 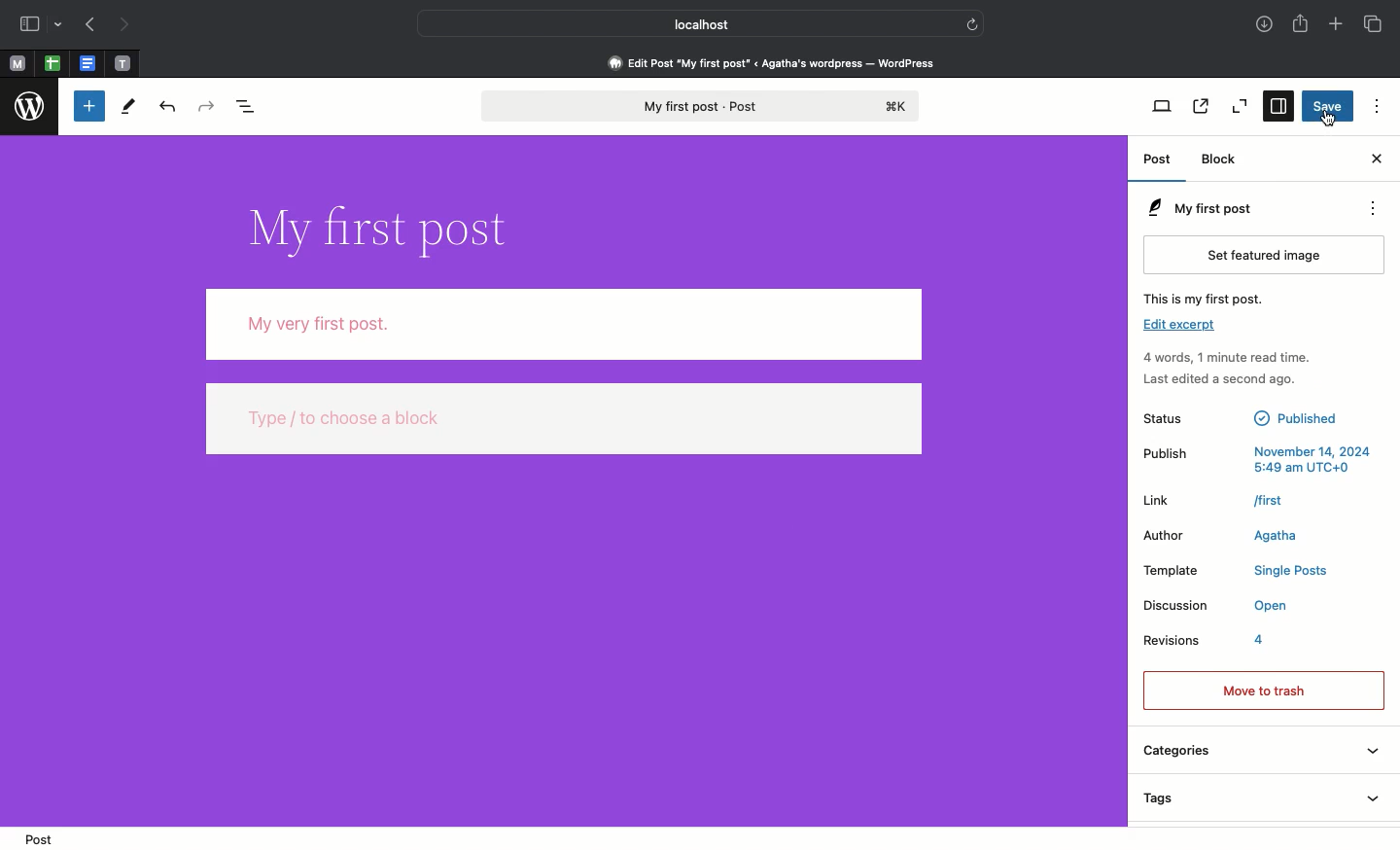 What do you see at coordinates (1259, 798) in the screenshot?
I see `Tags` at bounding box center [1259, 798].